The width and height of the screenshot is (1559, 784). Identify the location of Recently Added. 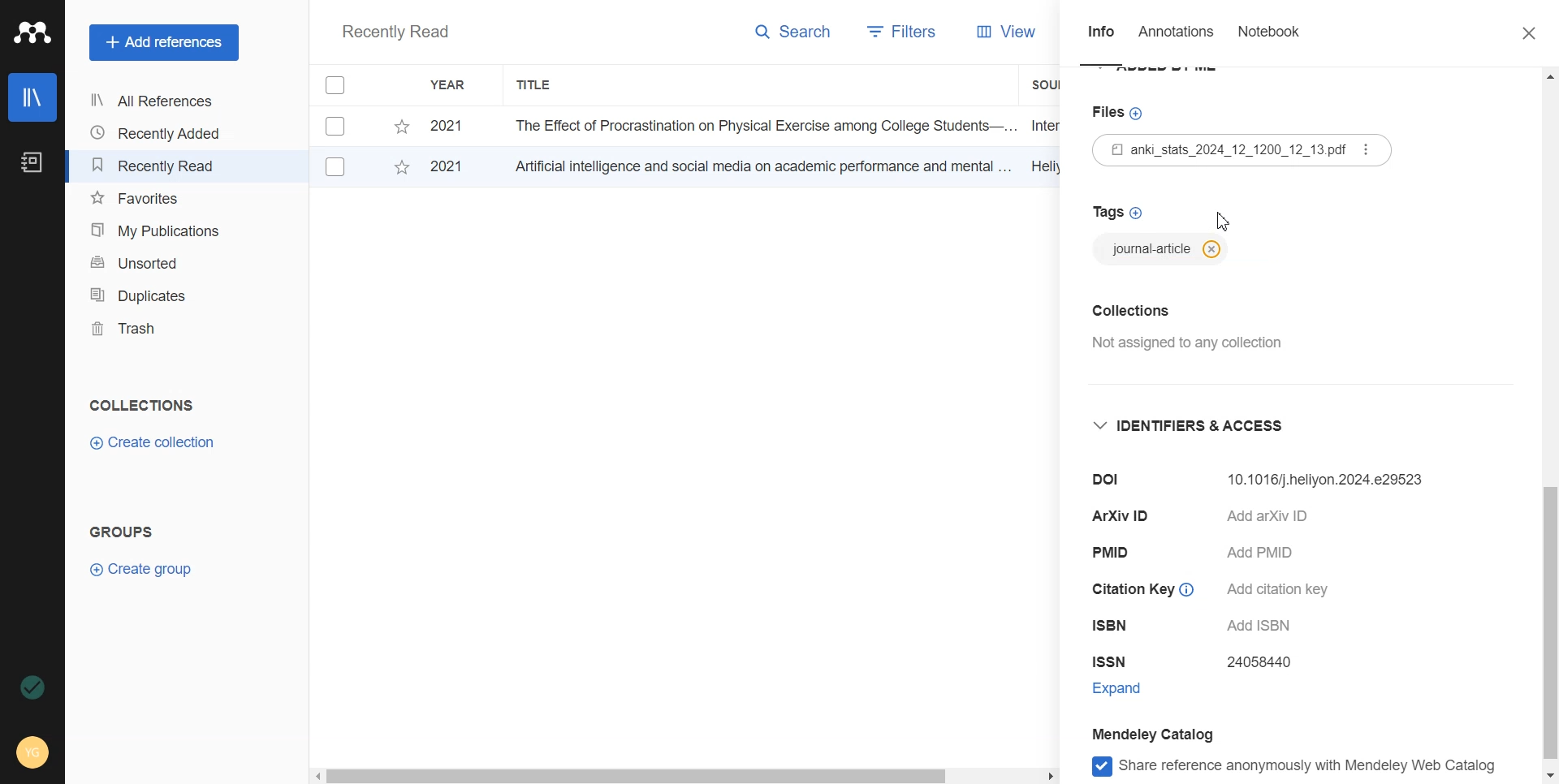
(158, 133).